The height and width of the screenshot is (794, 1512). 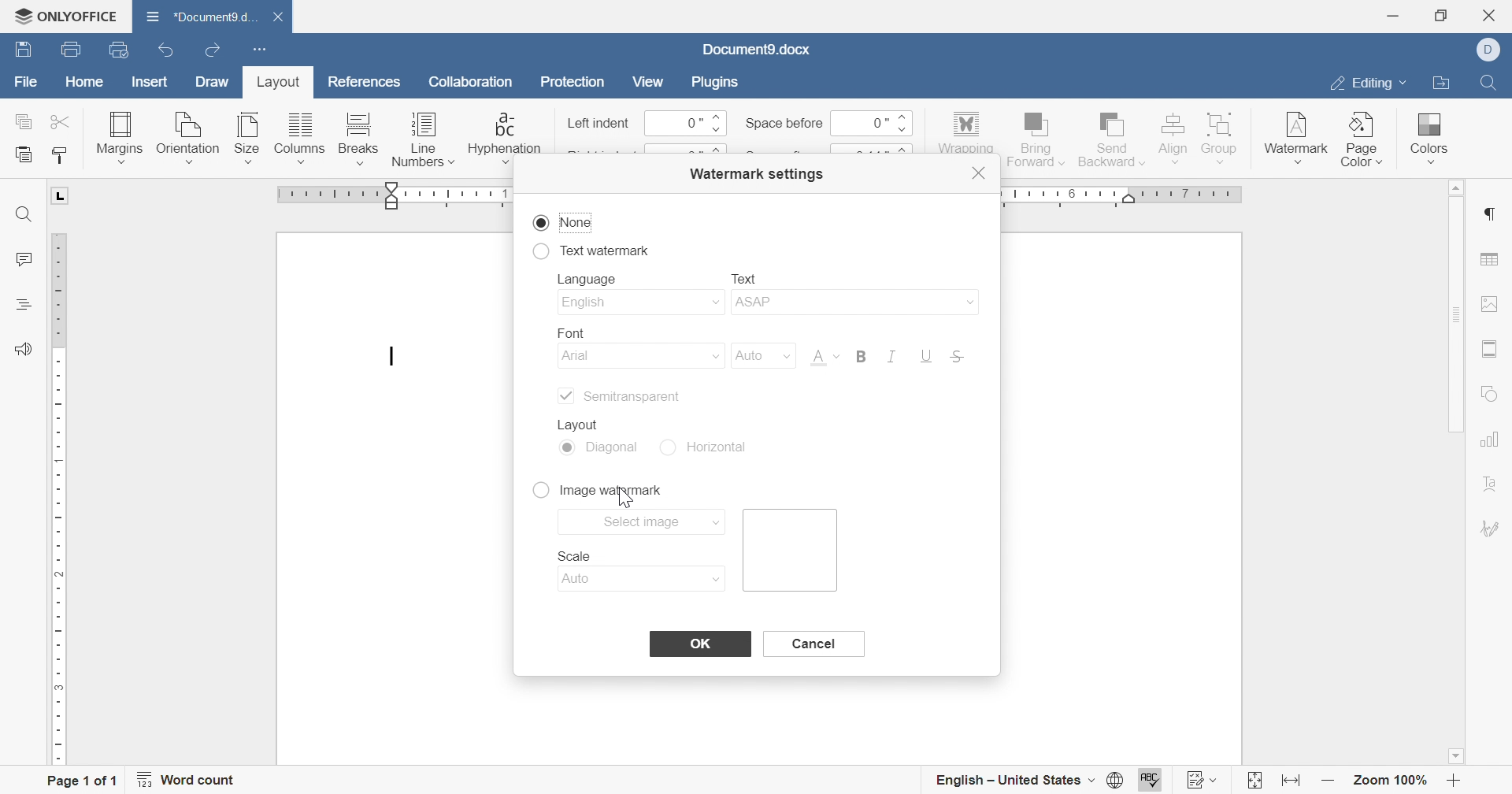 What do you see at coordinates (65, 13) in the screenshot?
I see `ONLYOFFICE` at bounding box center [65, 13].